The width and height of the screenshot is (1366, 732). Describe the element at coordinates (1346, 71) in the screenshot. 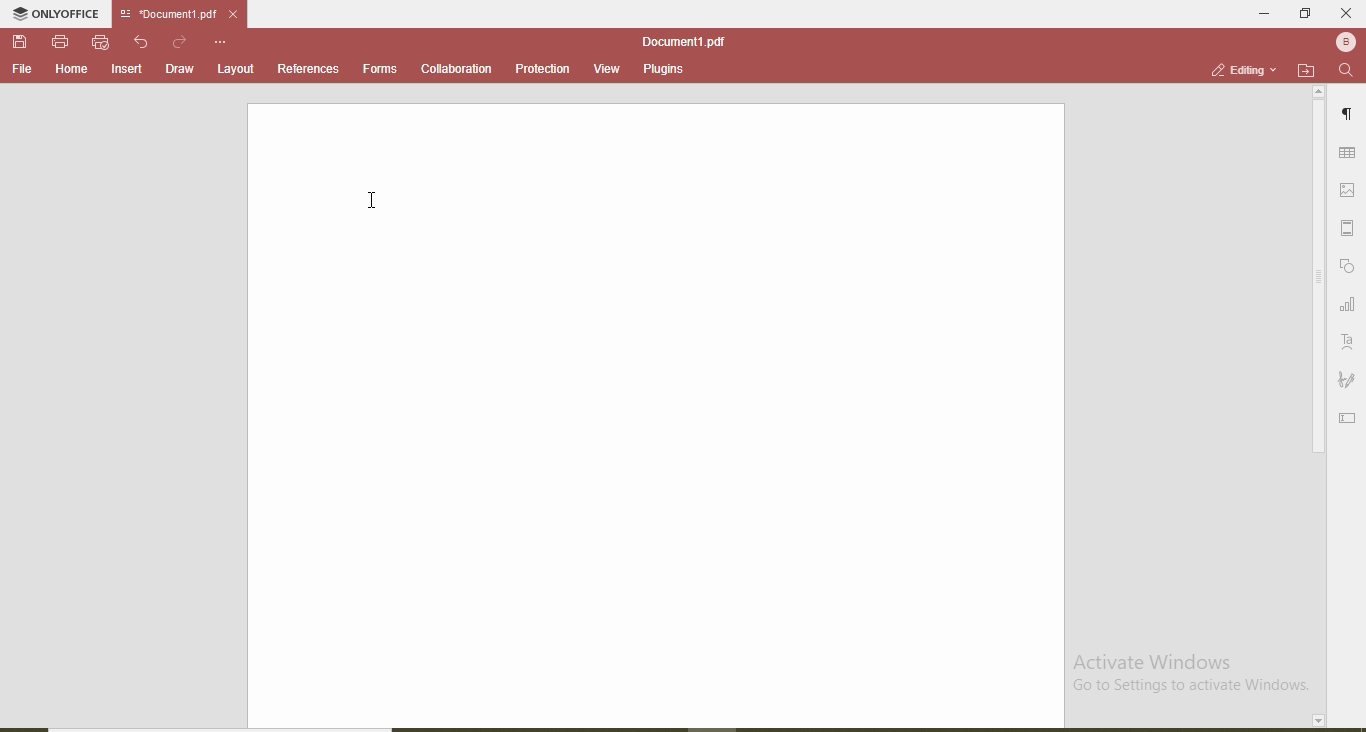

I see `find` at that location.